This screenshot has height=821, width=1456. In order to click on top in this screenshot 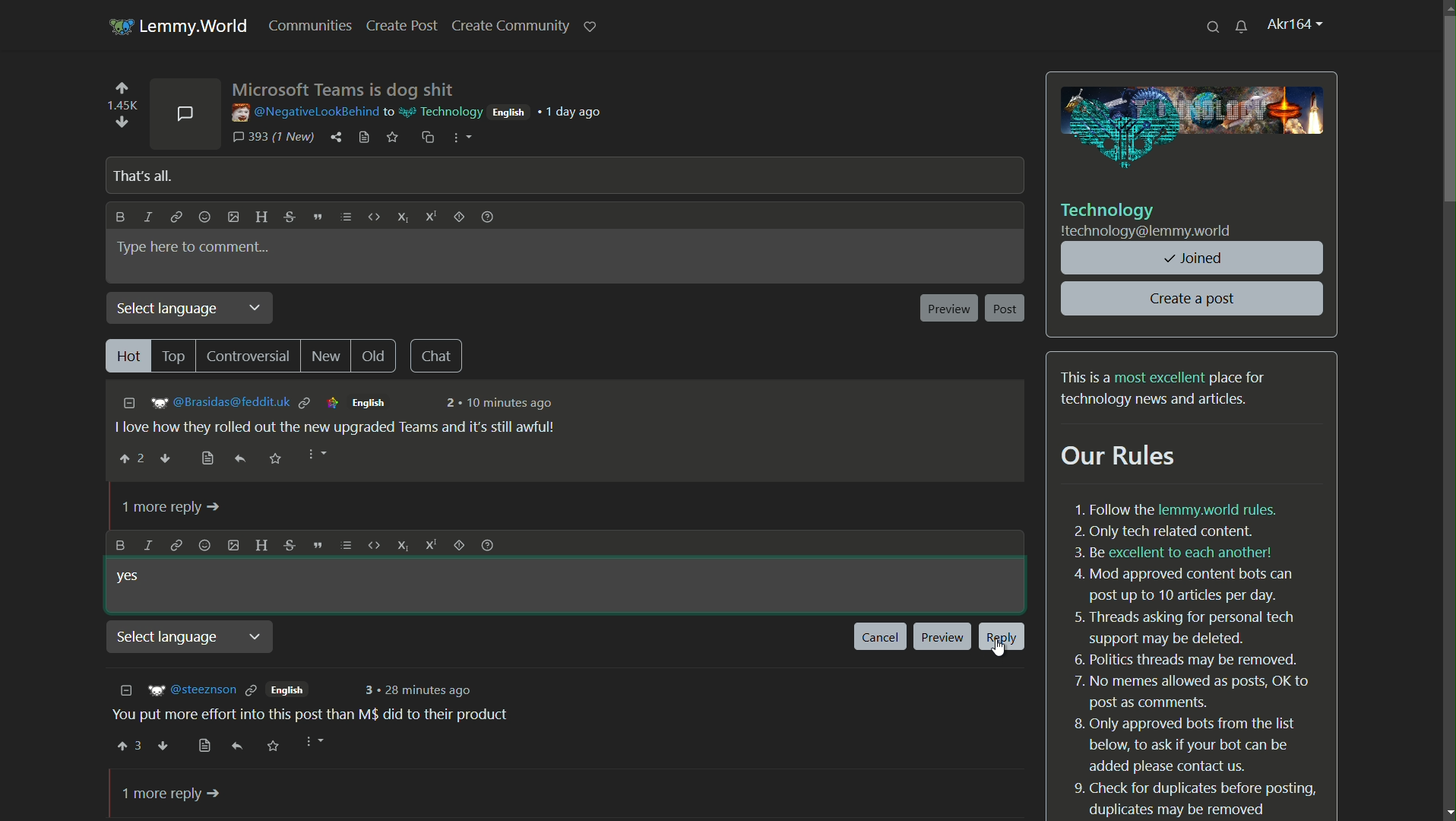, I will do `click(176, 355)`.